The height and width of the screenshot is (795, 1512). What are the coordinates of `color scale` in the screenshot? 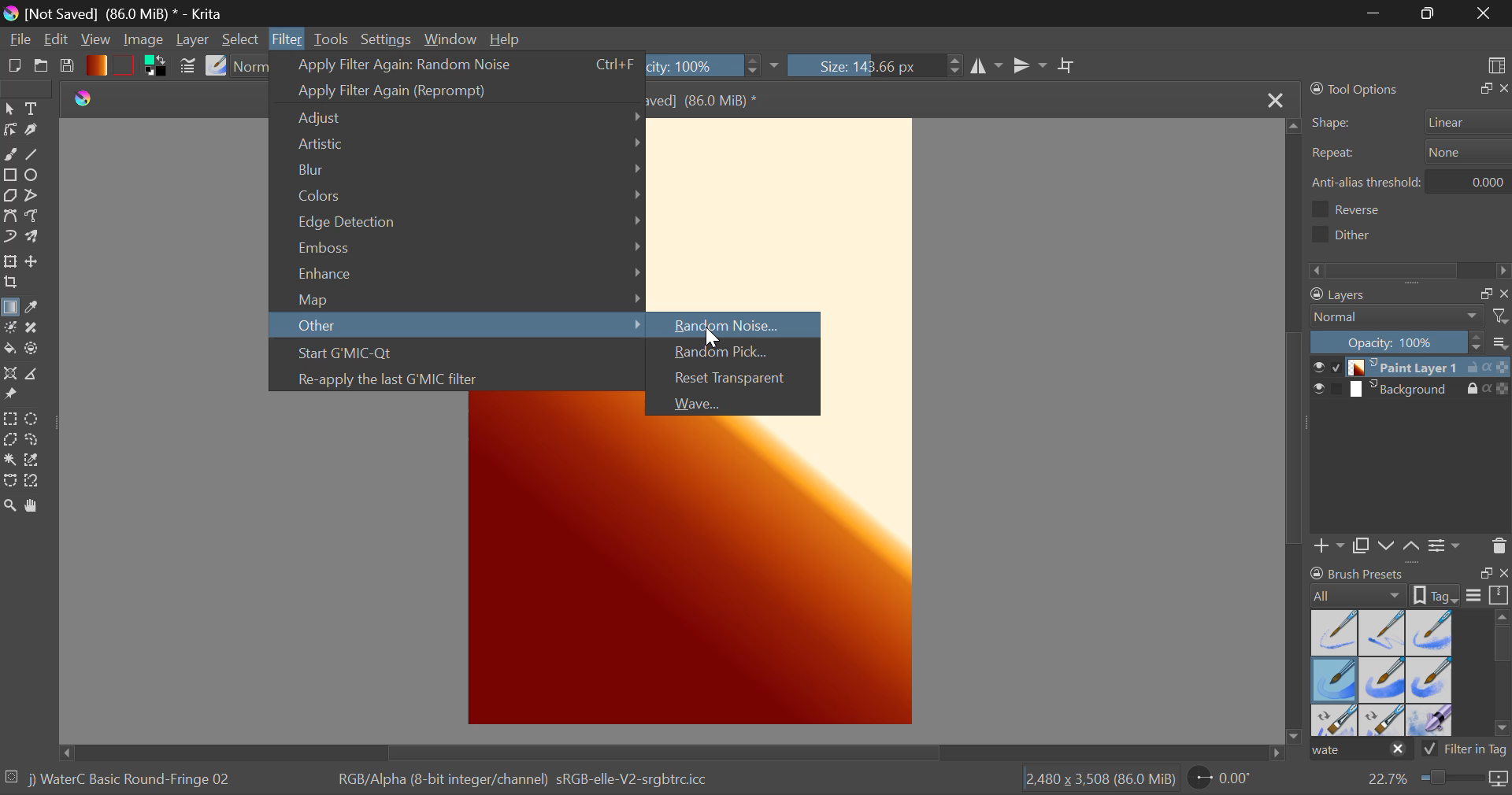 It's located at (1503, 368).